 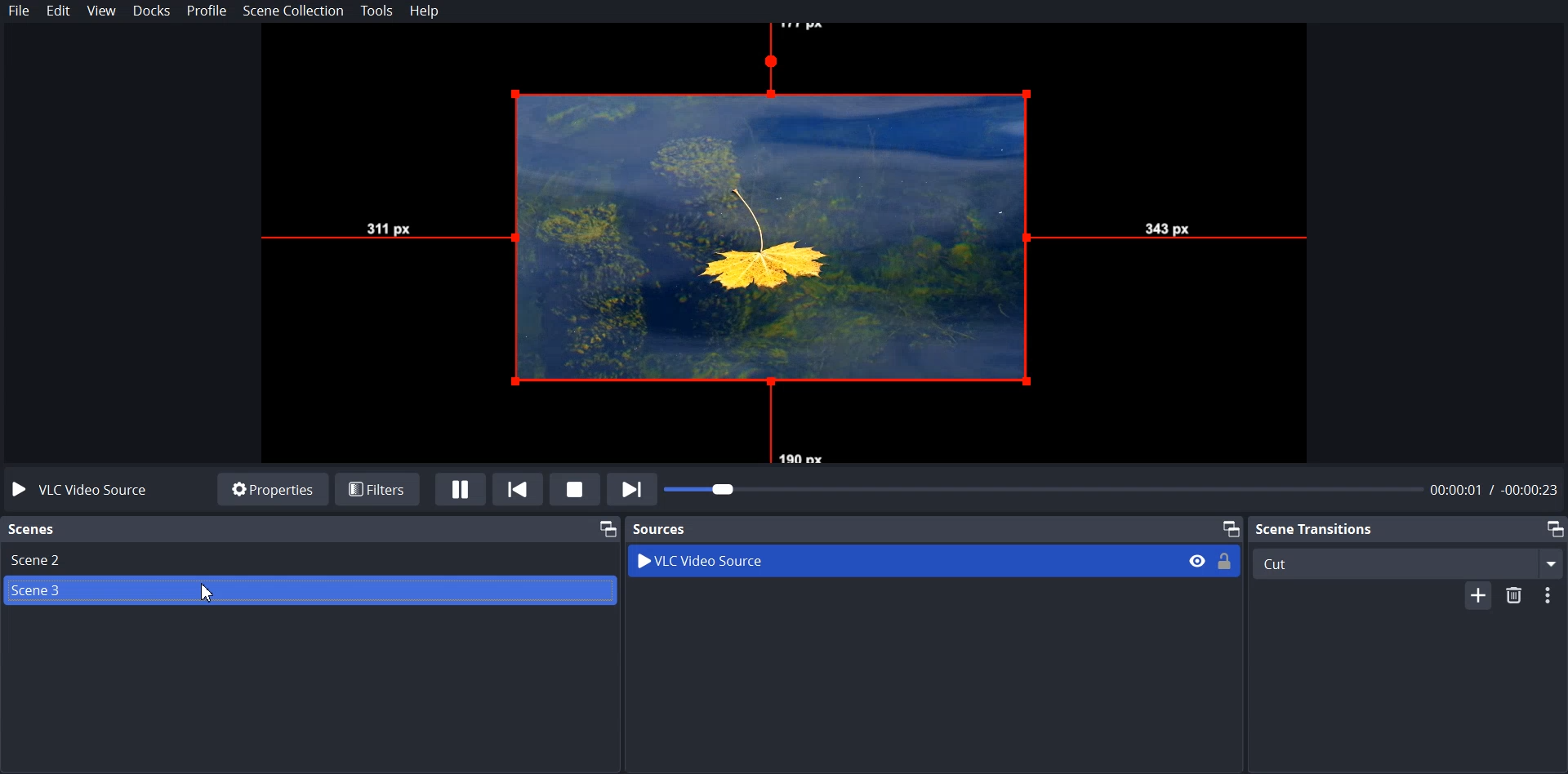 I want to click on VLC Video Source, so click(x=872, y=561).